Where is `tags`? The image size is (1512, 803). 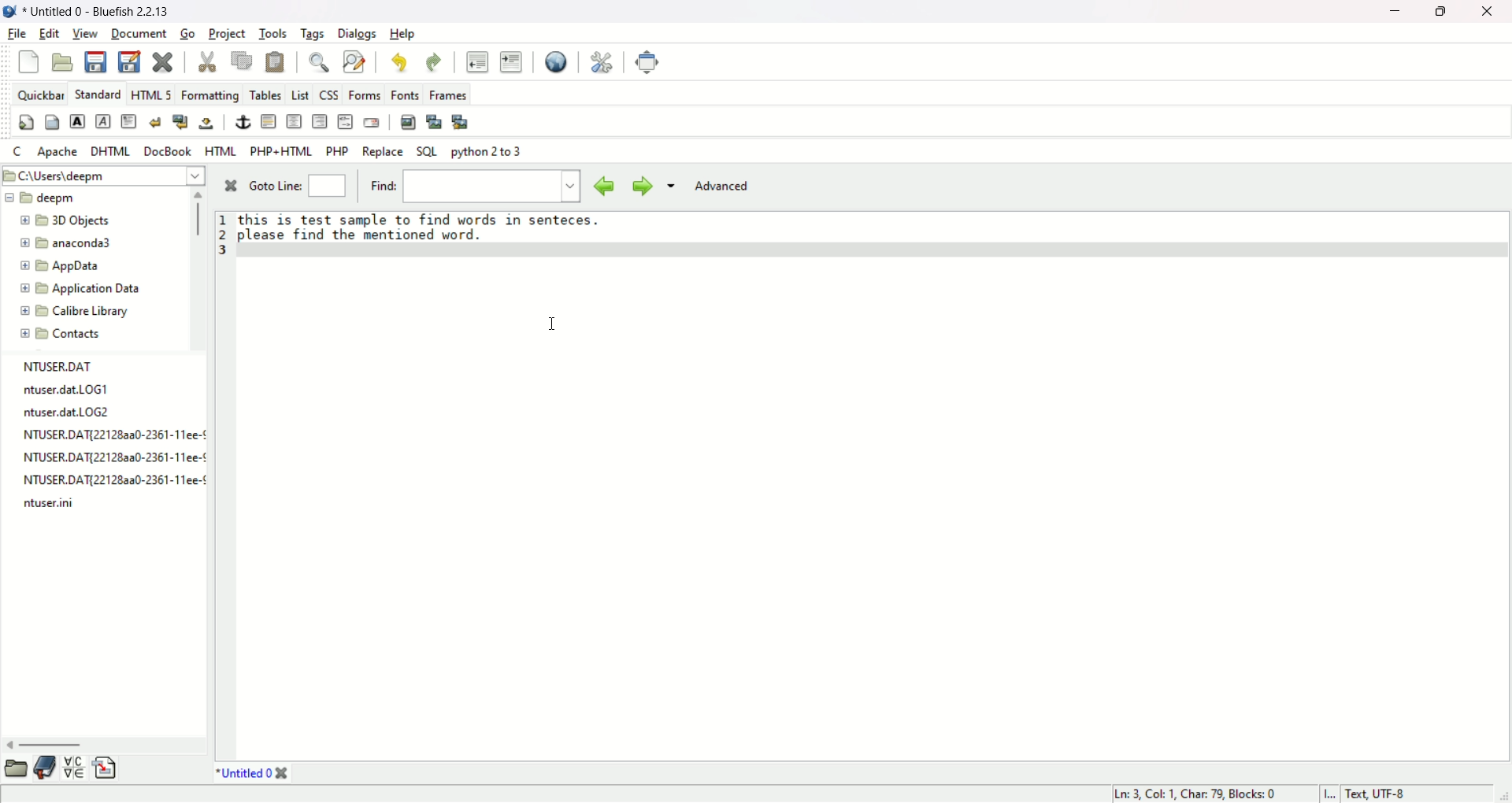
tags is located at coordinates (313, 34).